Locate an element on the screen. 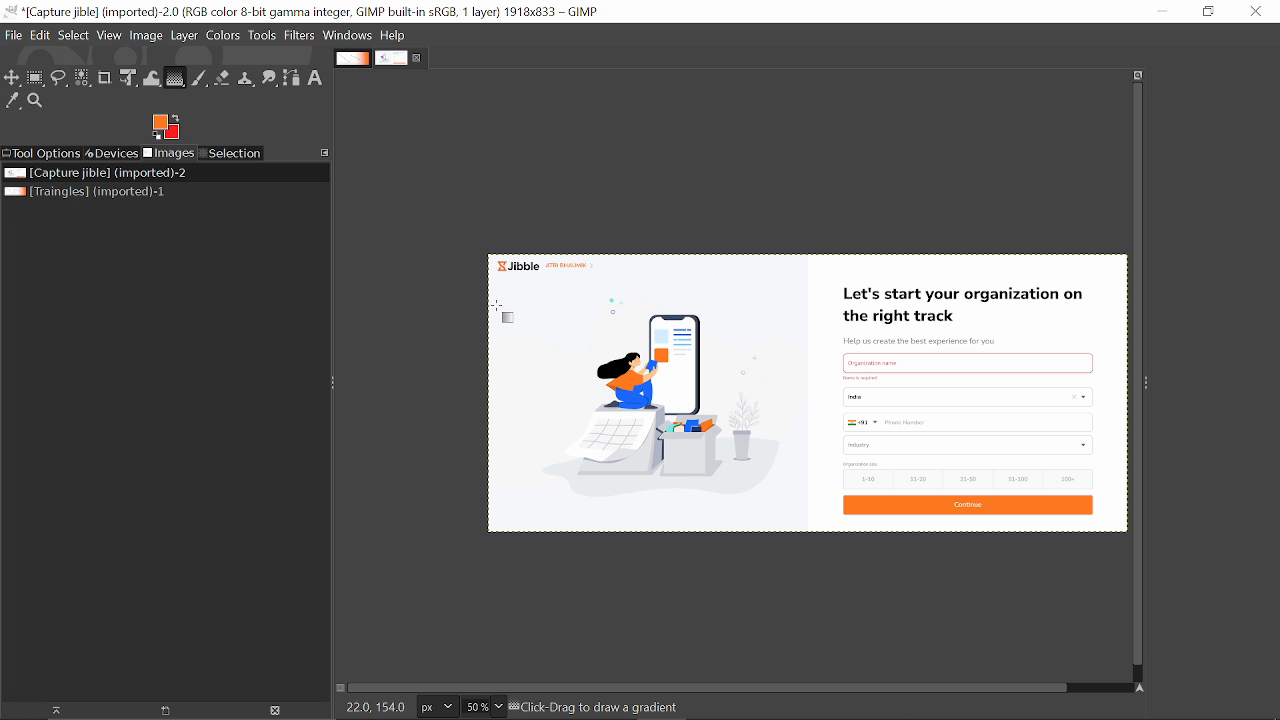 The height and width of the screenshot is (720, 1280). Raise this image's display is located at coordinates (51, 711).